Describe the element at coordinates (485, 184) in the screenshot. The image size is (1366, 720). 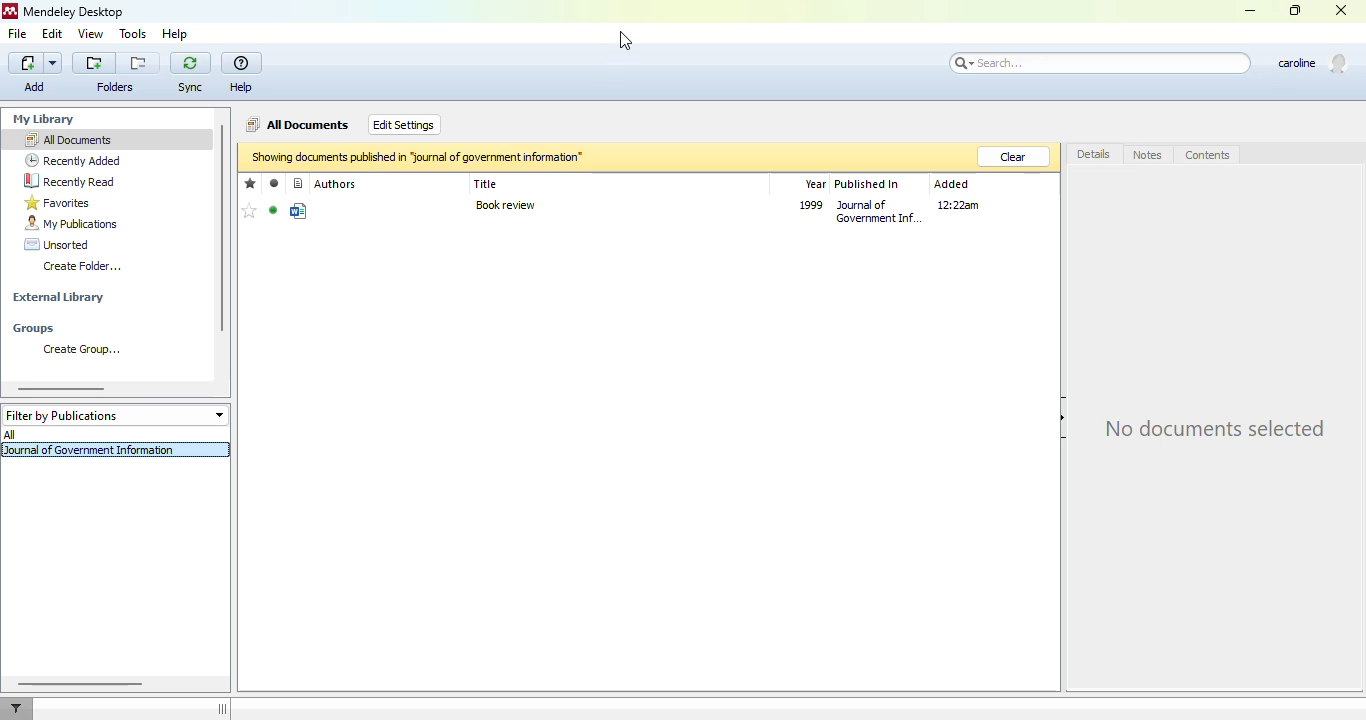
I see `title` at that location.